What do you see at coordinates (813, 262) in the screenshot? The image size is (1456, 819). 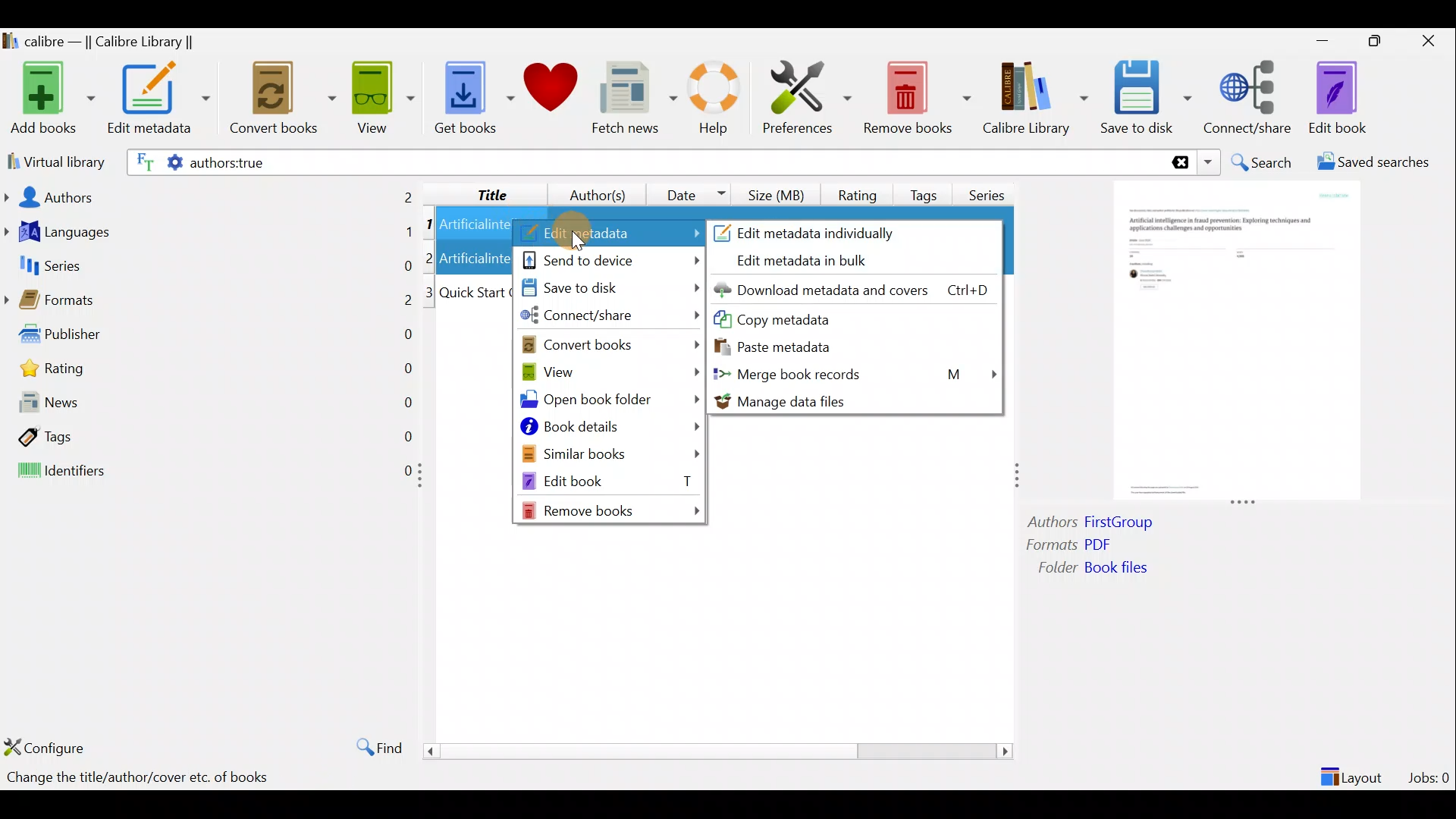 I see `Edit metadata in bulk` at bounding box center [813, 262].